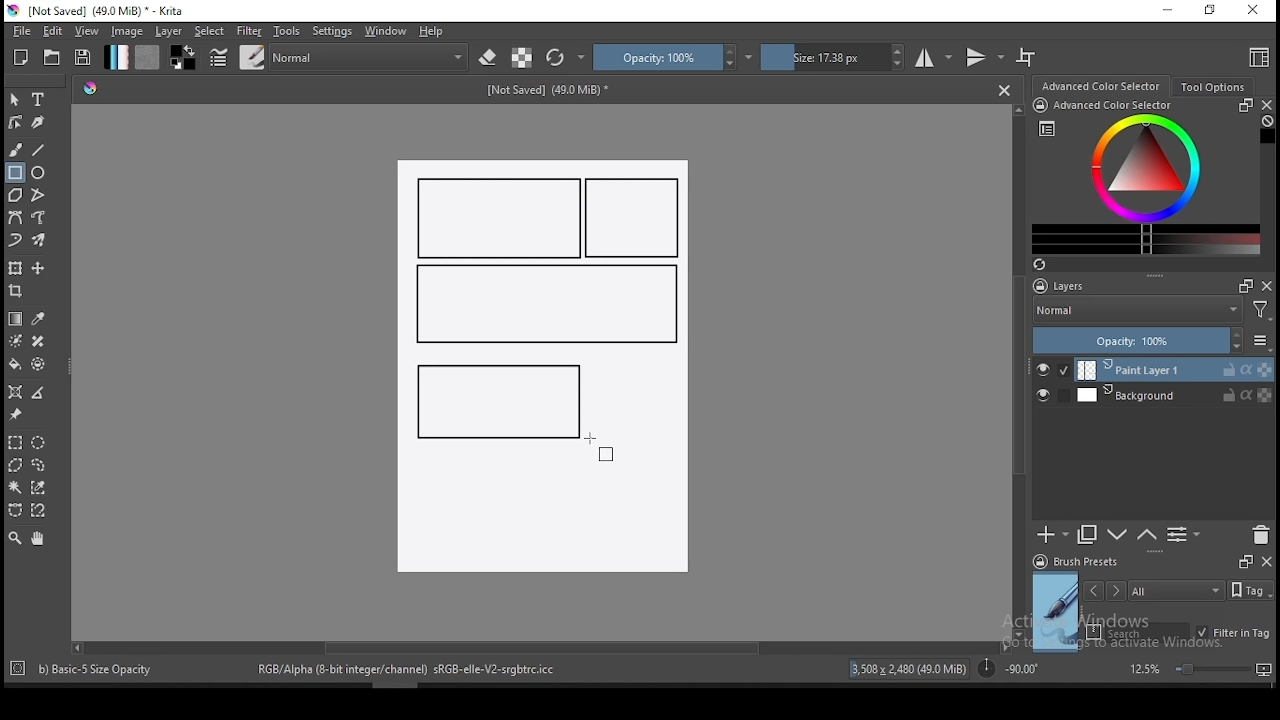 This screenshot has width=1280, height=720. Describe the element at coordinates (15, 267) in the screenshot. I see `transform a layer or a selection` at that location.